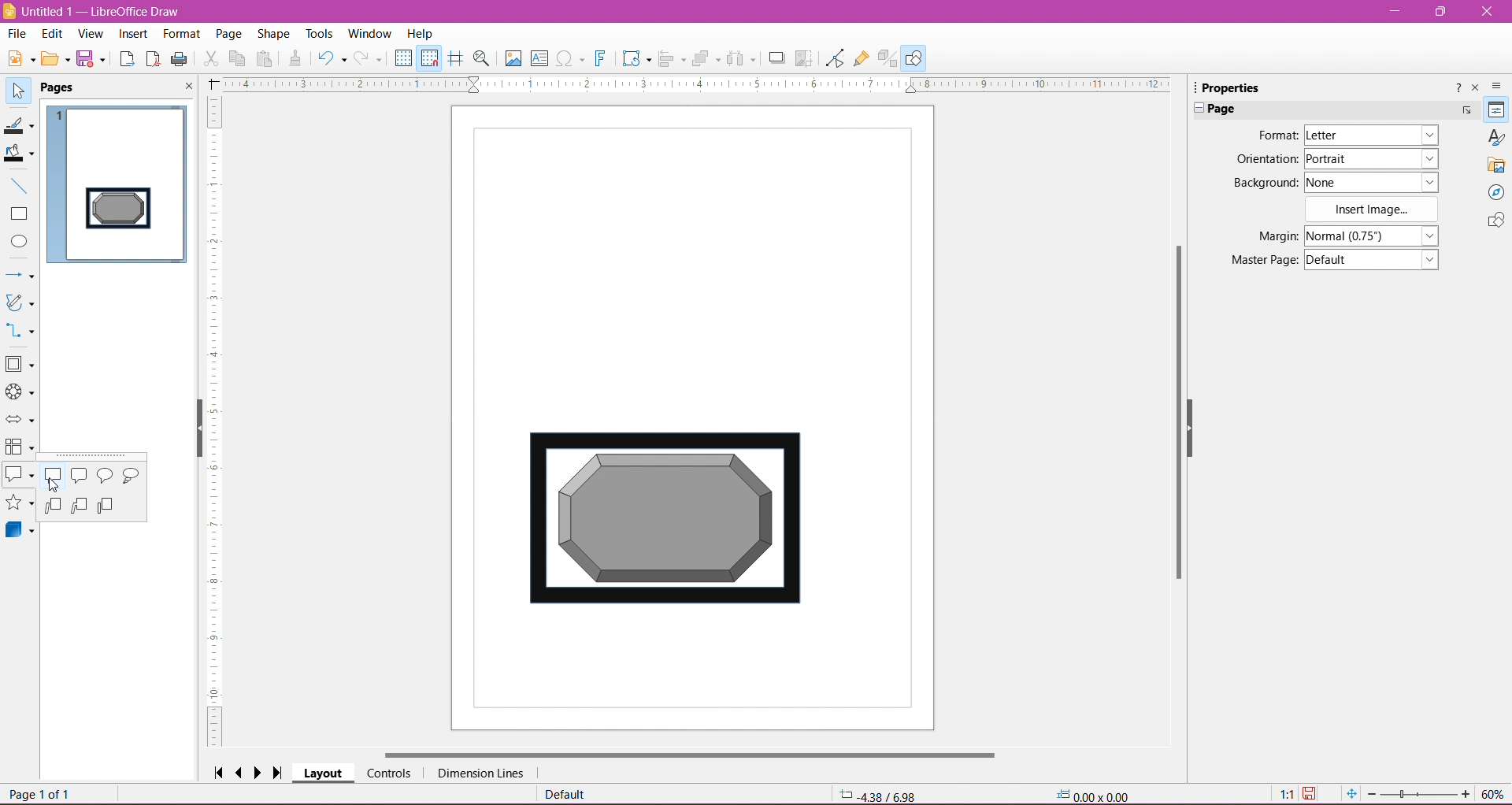  I want to click on Copy, so click(238, 58).